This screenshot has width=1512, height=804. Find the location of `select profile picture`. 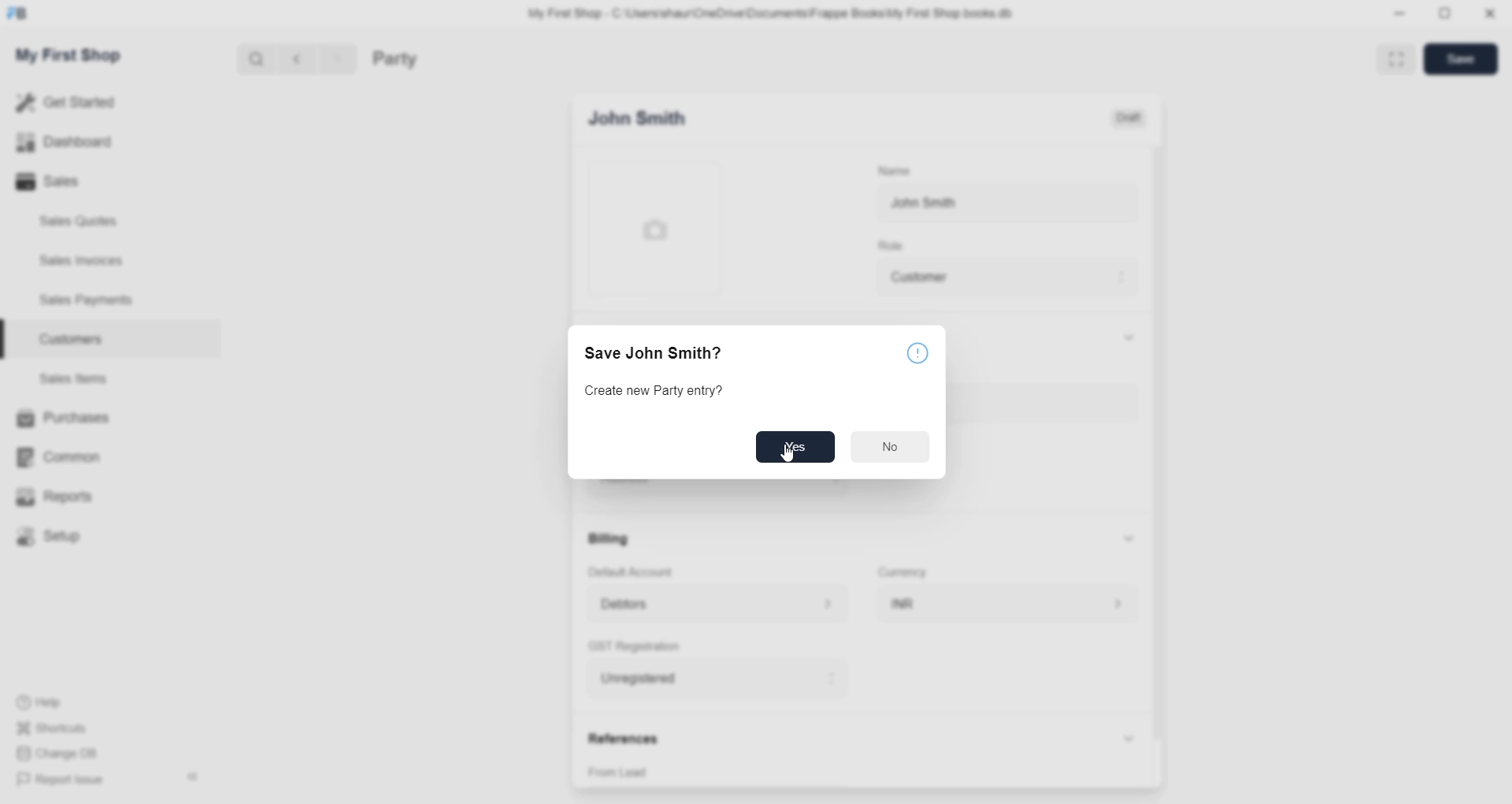

select profile picture is located at coordinates (662, 229).